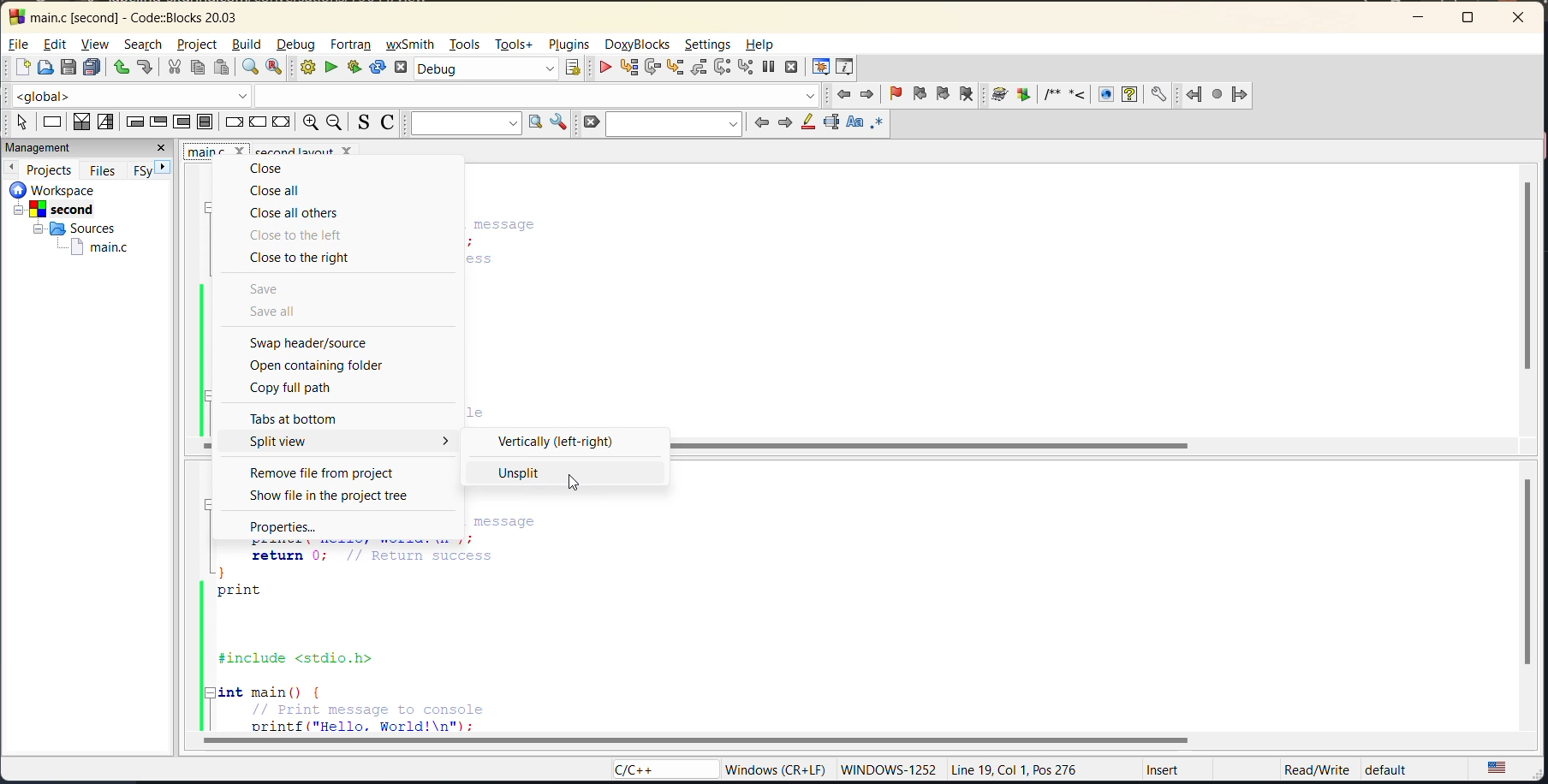  Describe the element at coordinates (536, 124) in the screenshot. I see `run search` at that location.